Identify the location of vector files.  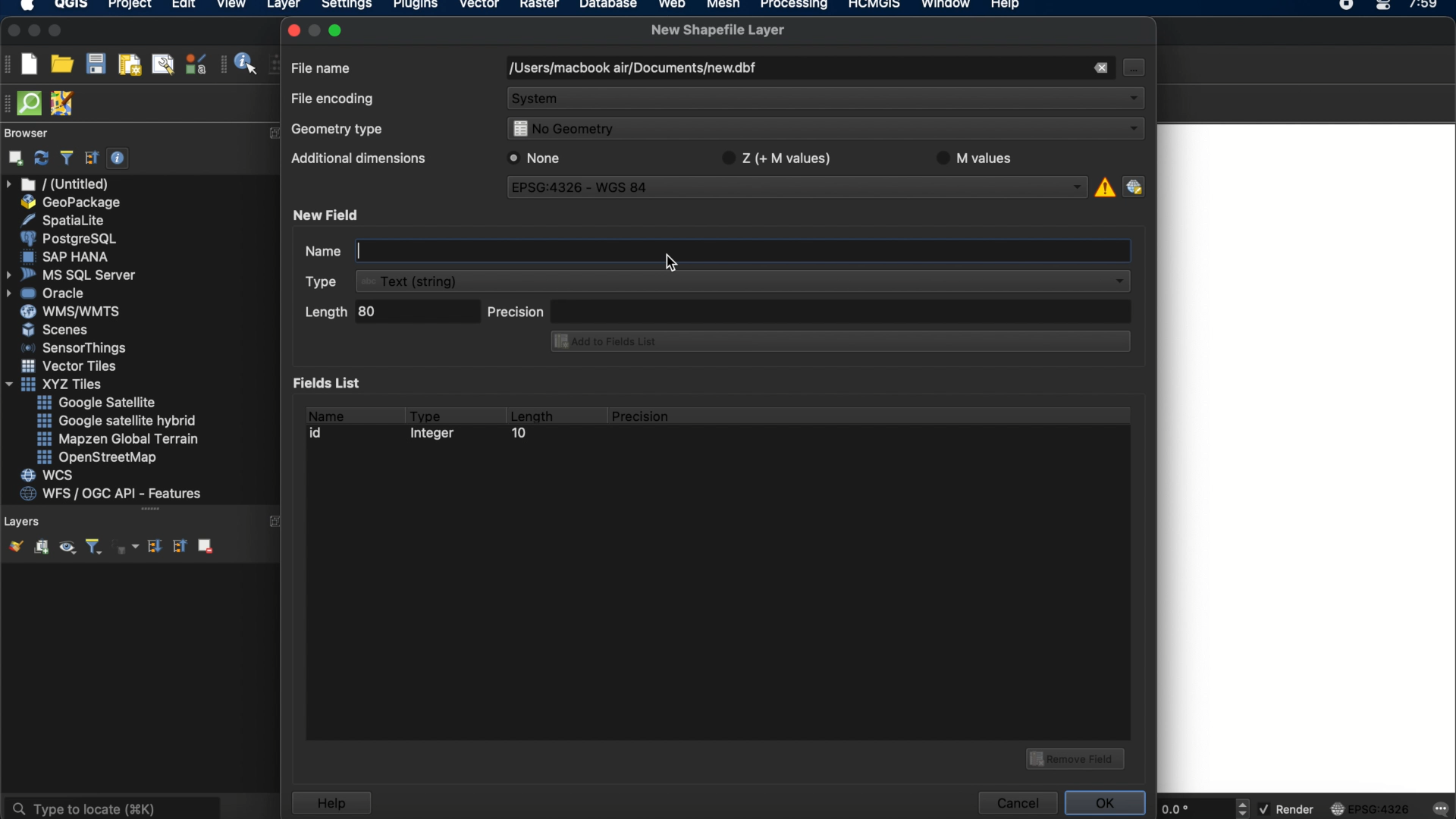
(71, 366).